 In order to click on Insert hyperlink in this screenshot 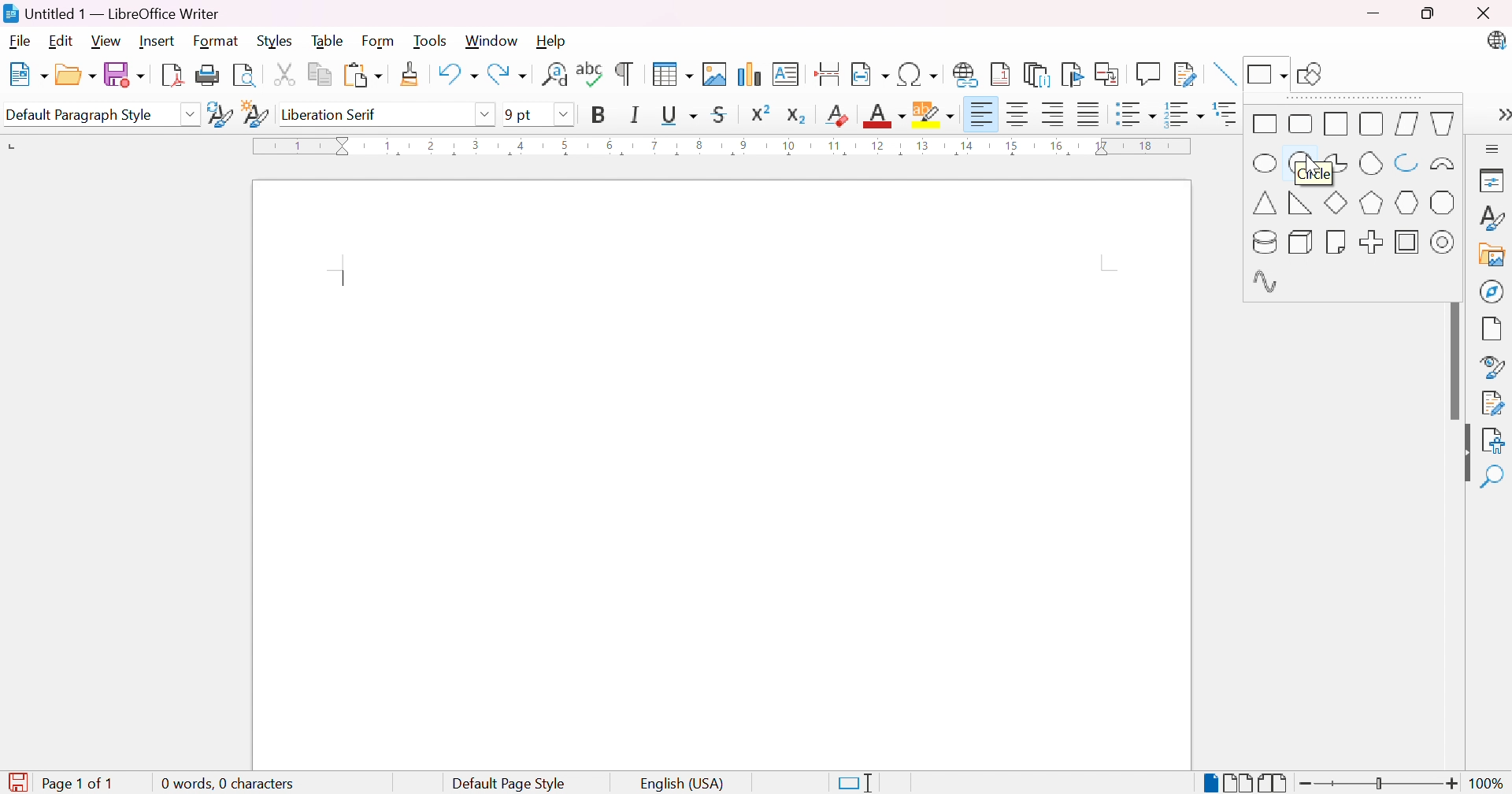, I will do `click(966, 74)`.